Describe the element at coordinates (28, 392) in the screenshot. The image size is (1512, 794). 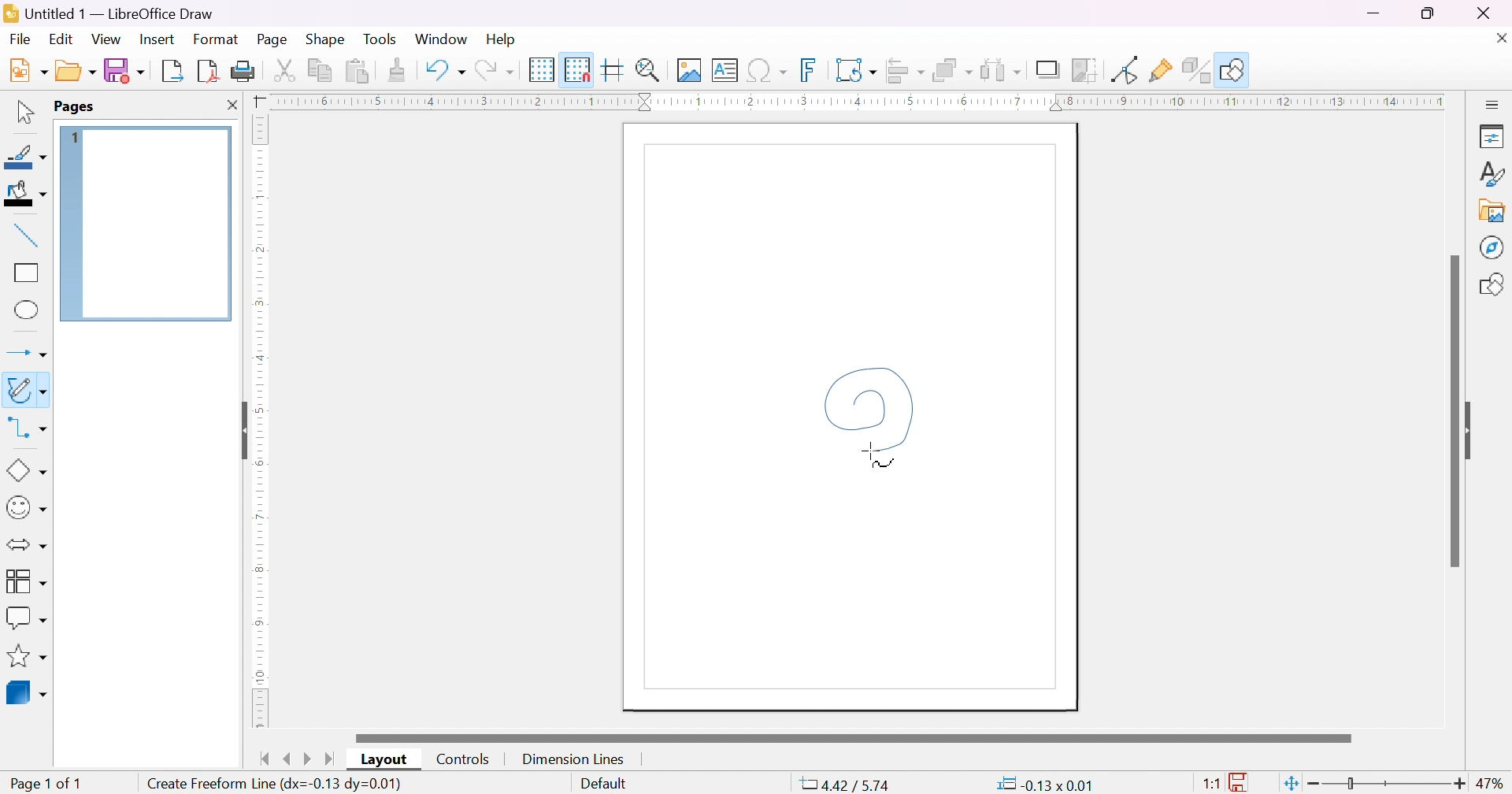
I see `curves and polygons (double click for multi-selection)` at that location.